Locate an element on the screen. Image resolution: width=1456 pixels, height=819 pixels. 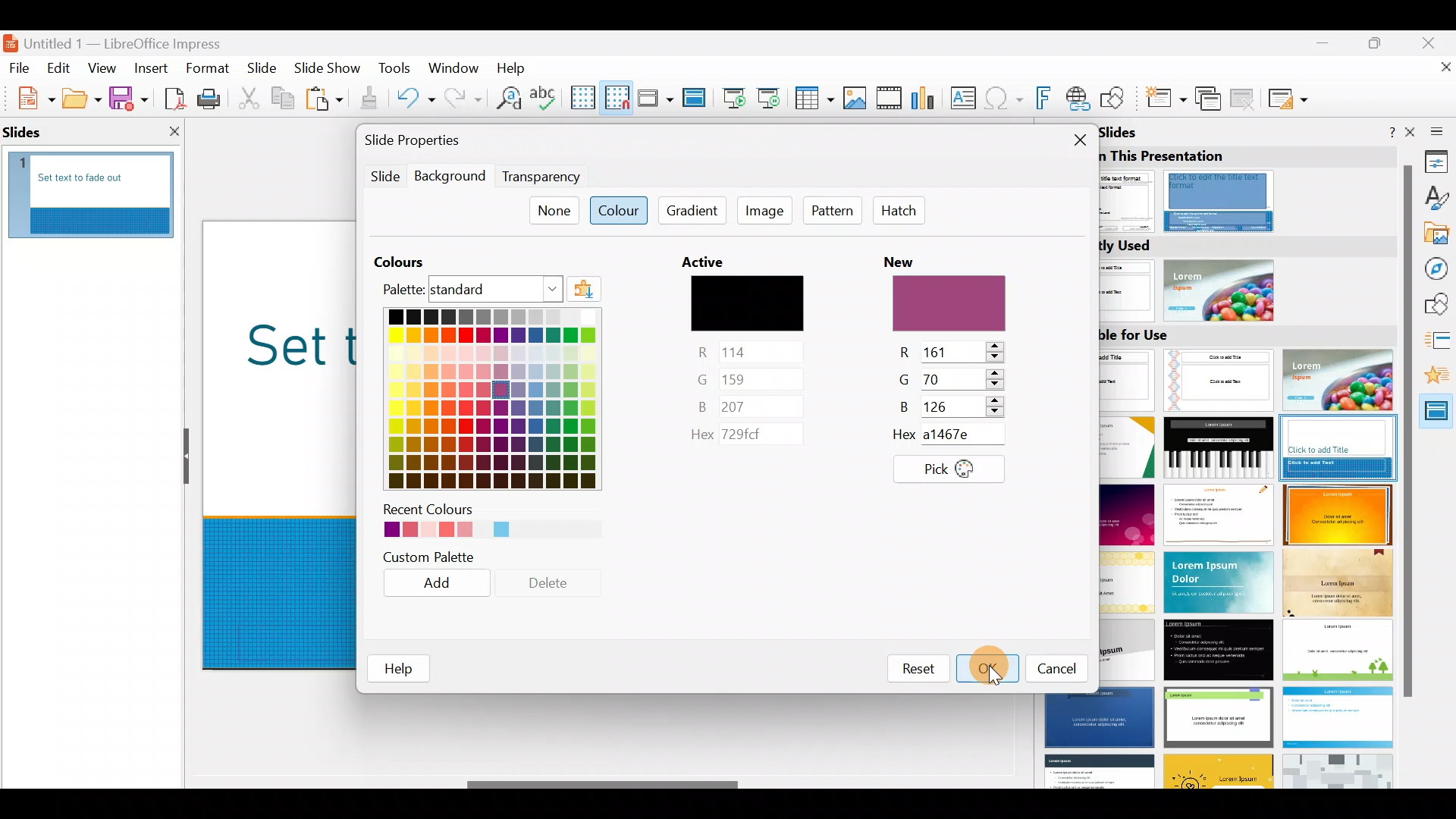
Insert special characters is located at coordinates (1006, 100).